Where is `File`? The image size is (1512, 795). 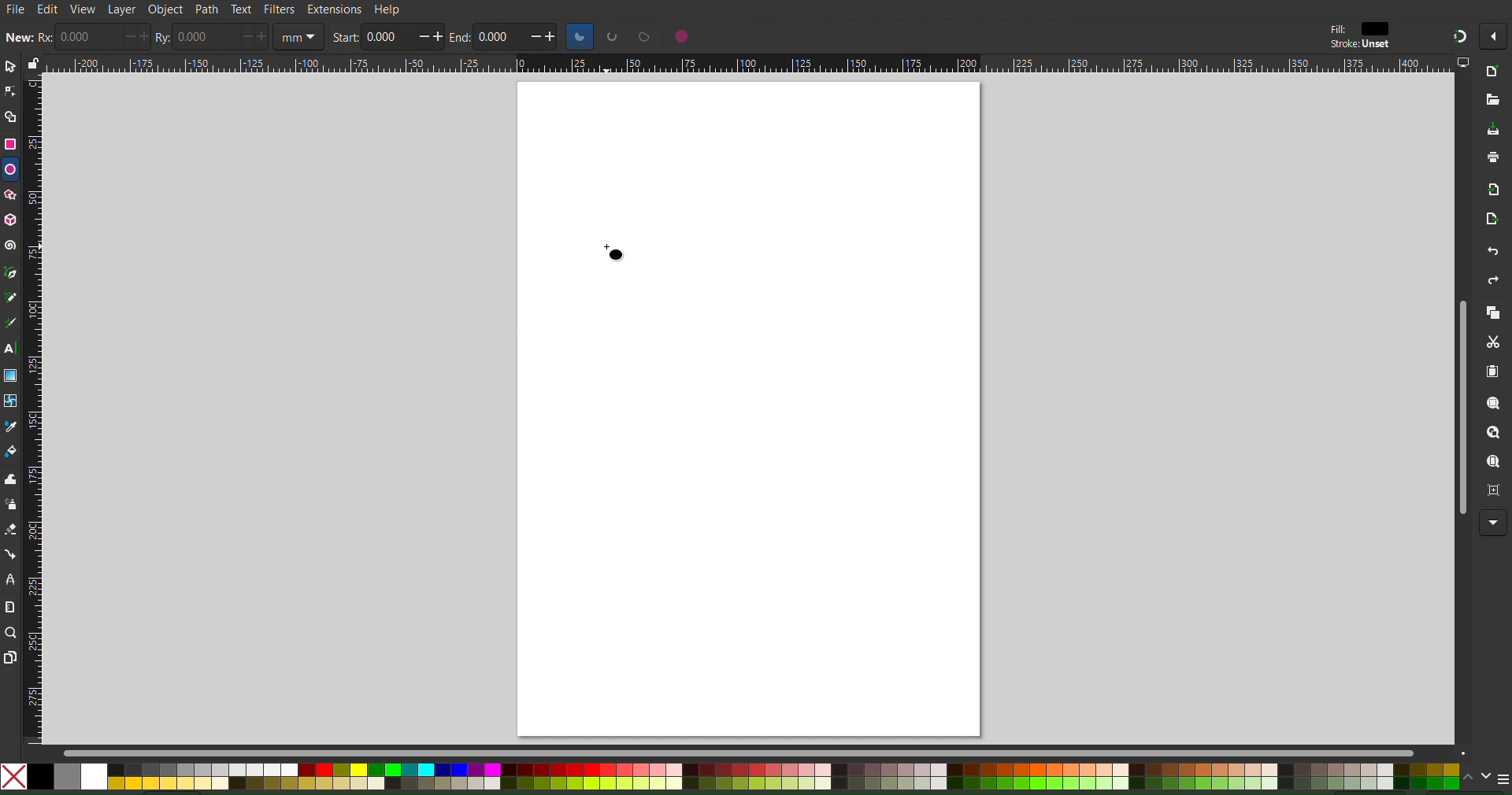 File is located at coordinates (15, 10).